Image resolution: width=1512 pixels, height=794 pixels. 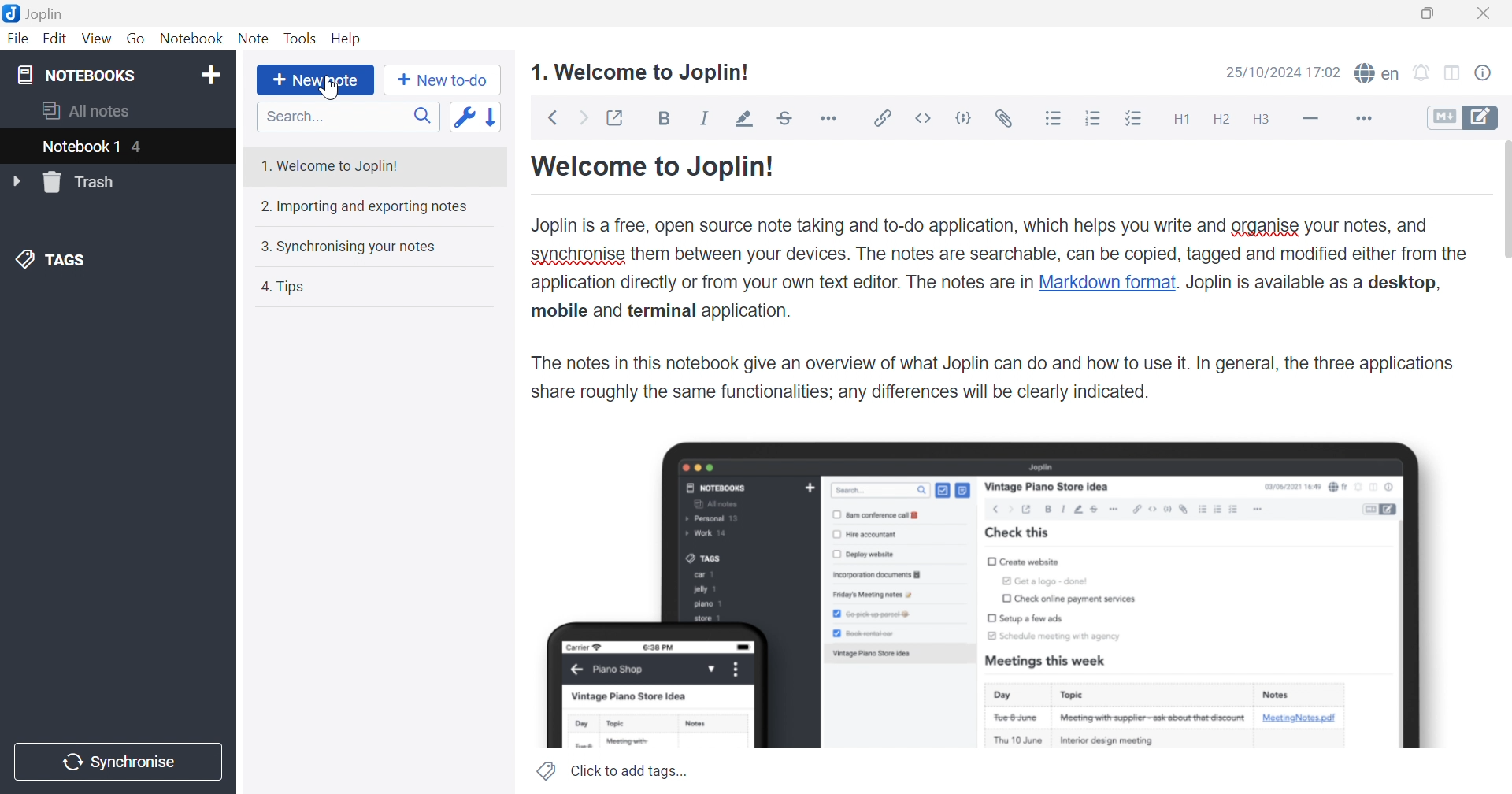 I want to click on Restore Down, so click(x=1435, y=12).